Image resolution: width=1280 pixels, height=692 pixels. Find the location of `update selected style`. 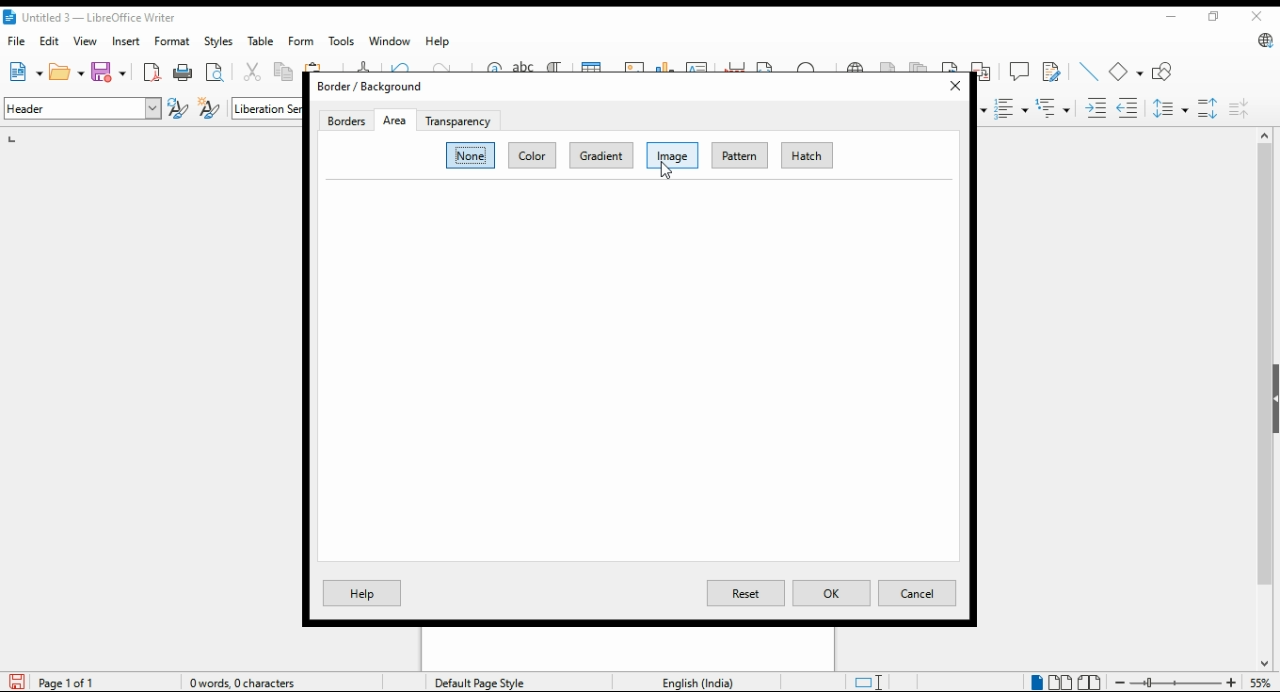

update selected style is located at coordinates (179, 108).